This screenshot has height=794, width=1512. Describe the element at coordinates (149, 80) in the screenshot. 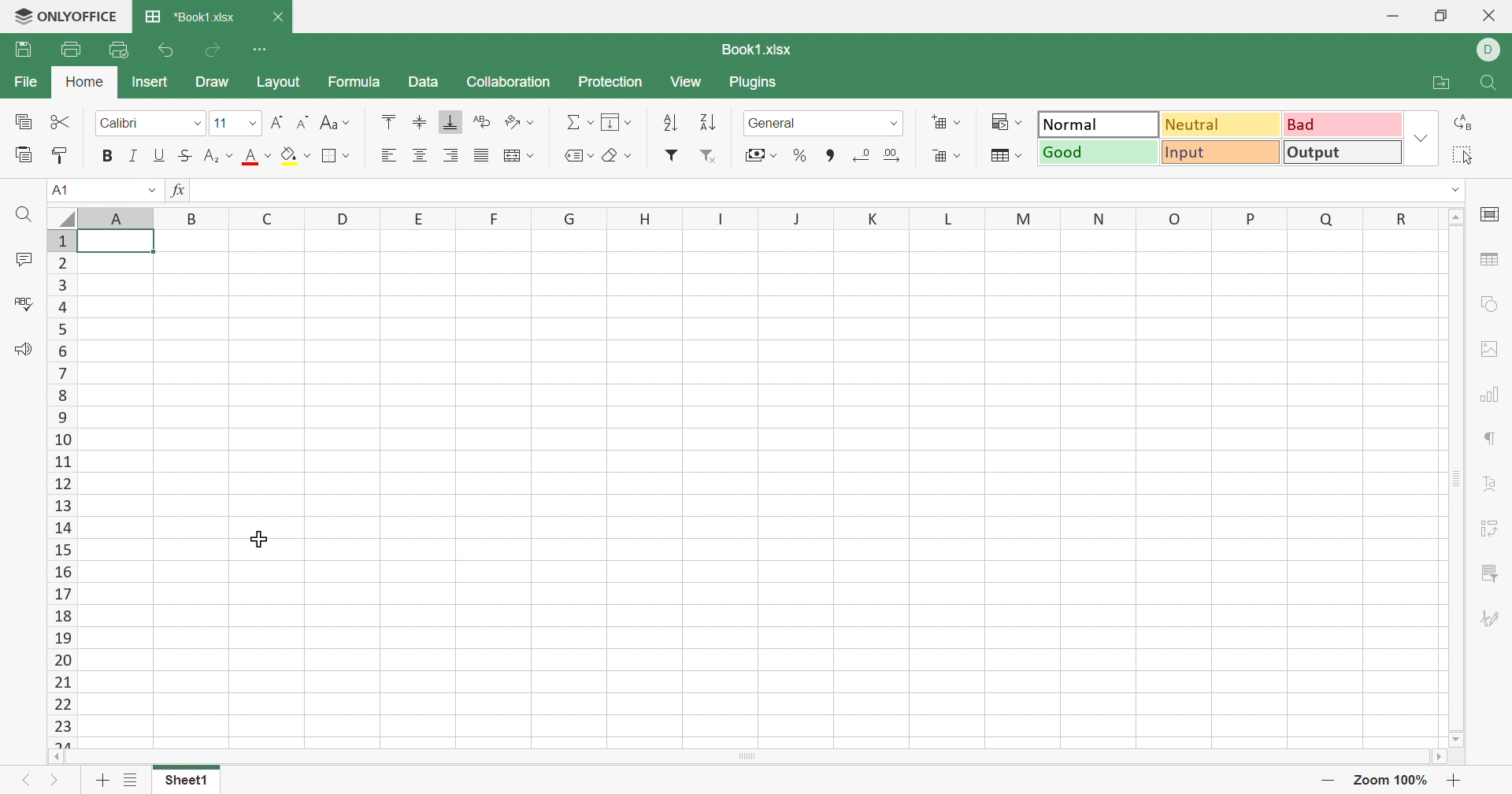

I see `Insert` at that location.